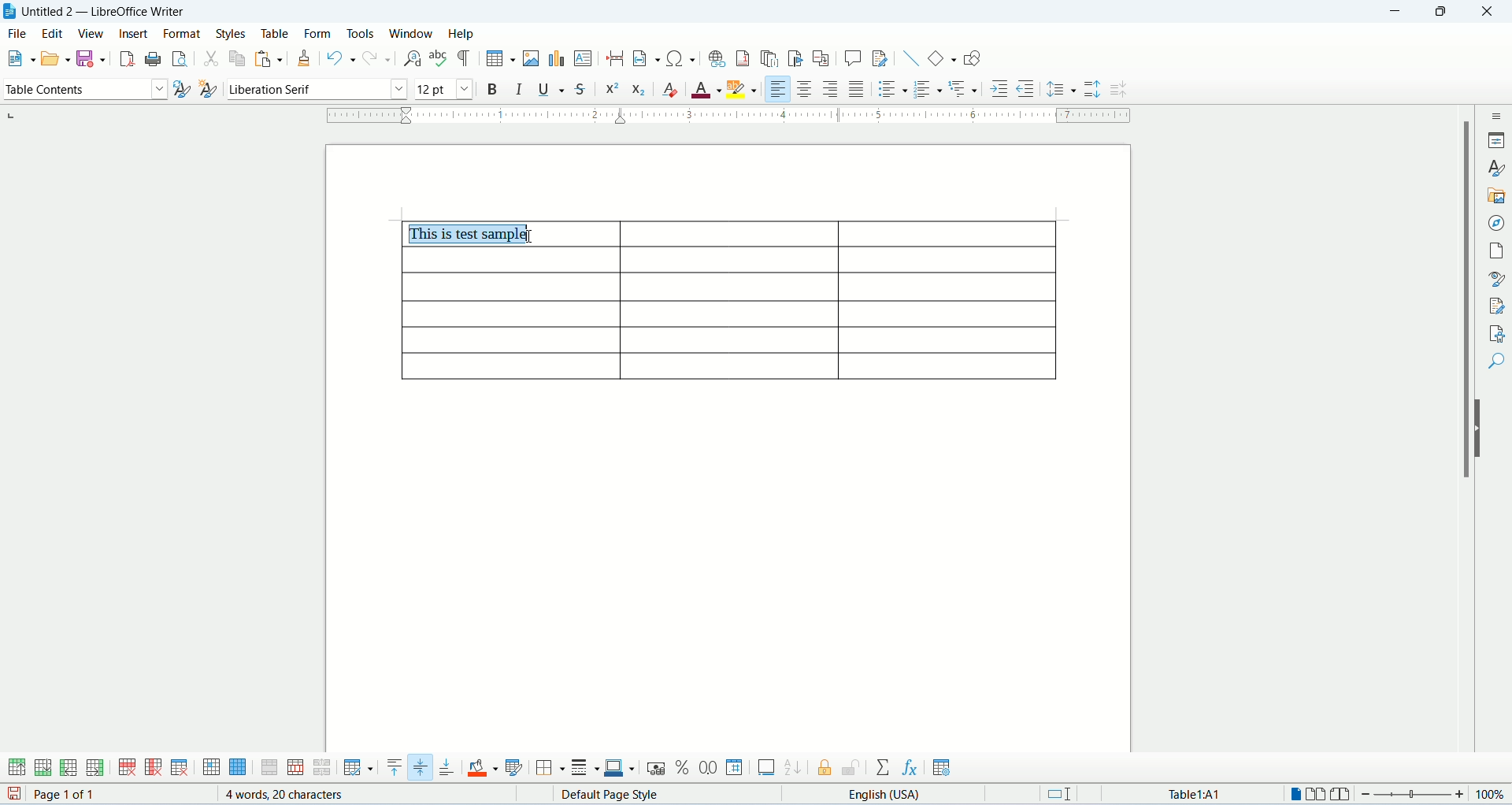 The image size is (1512, 805). Describe the element at coordinates (465, 57) in the screenshot. I see `formatting marks` at that location.